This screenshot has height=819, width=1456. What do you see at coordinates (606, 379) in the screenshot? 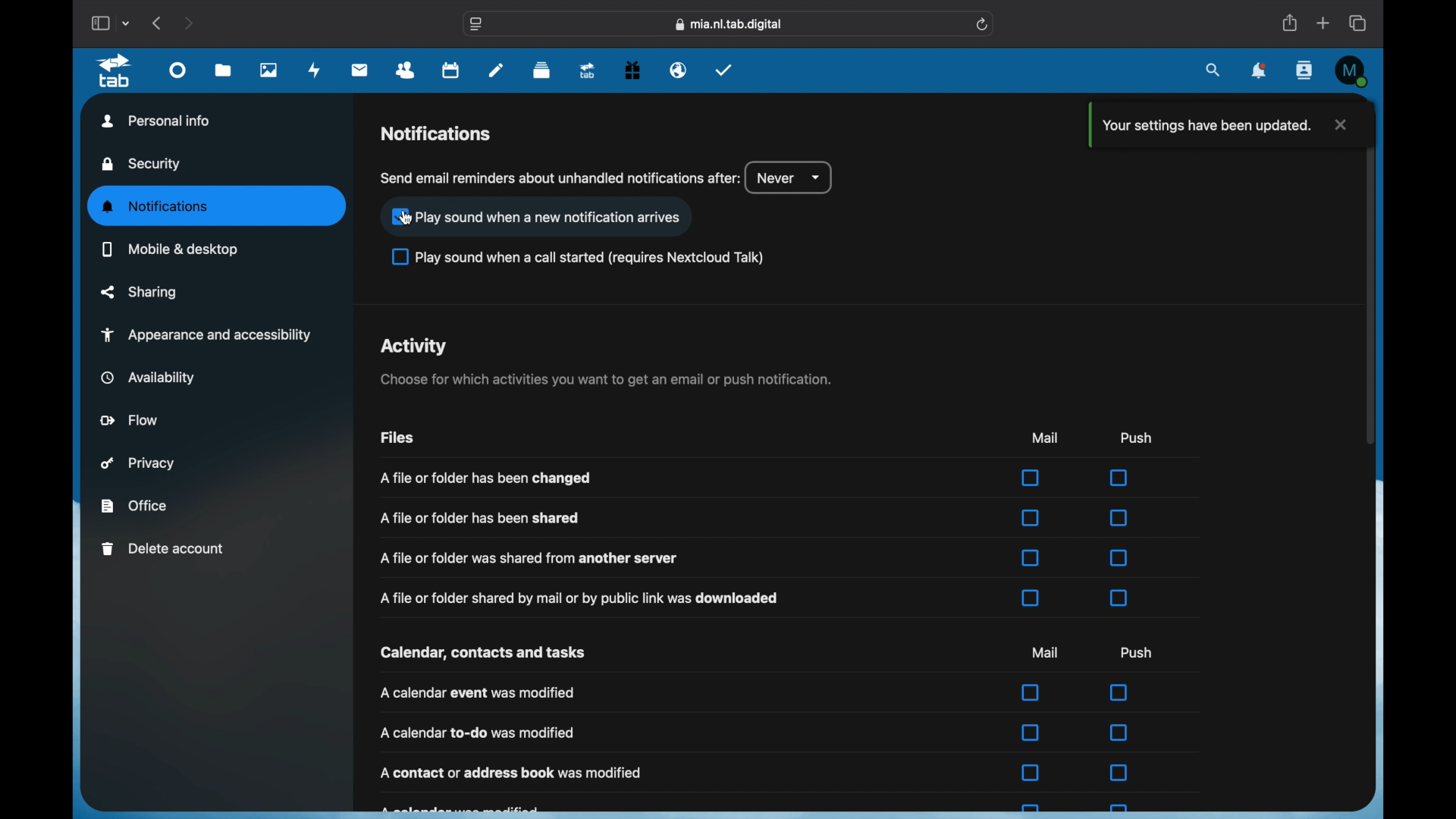
I see `info` at bounding box center [606, 379].